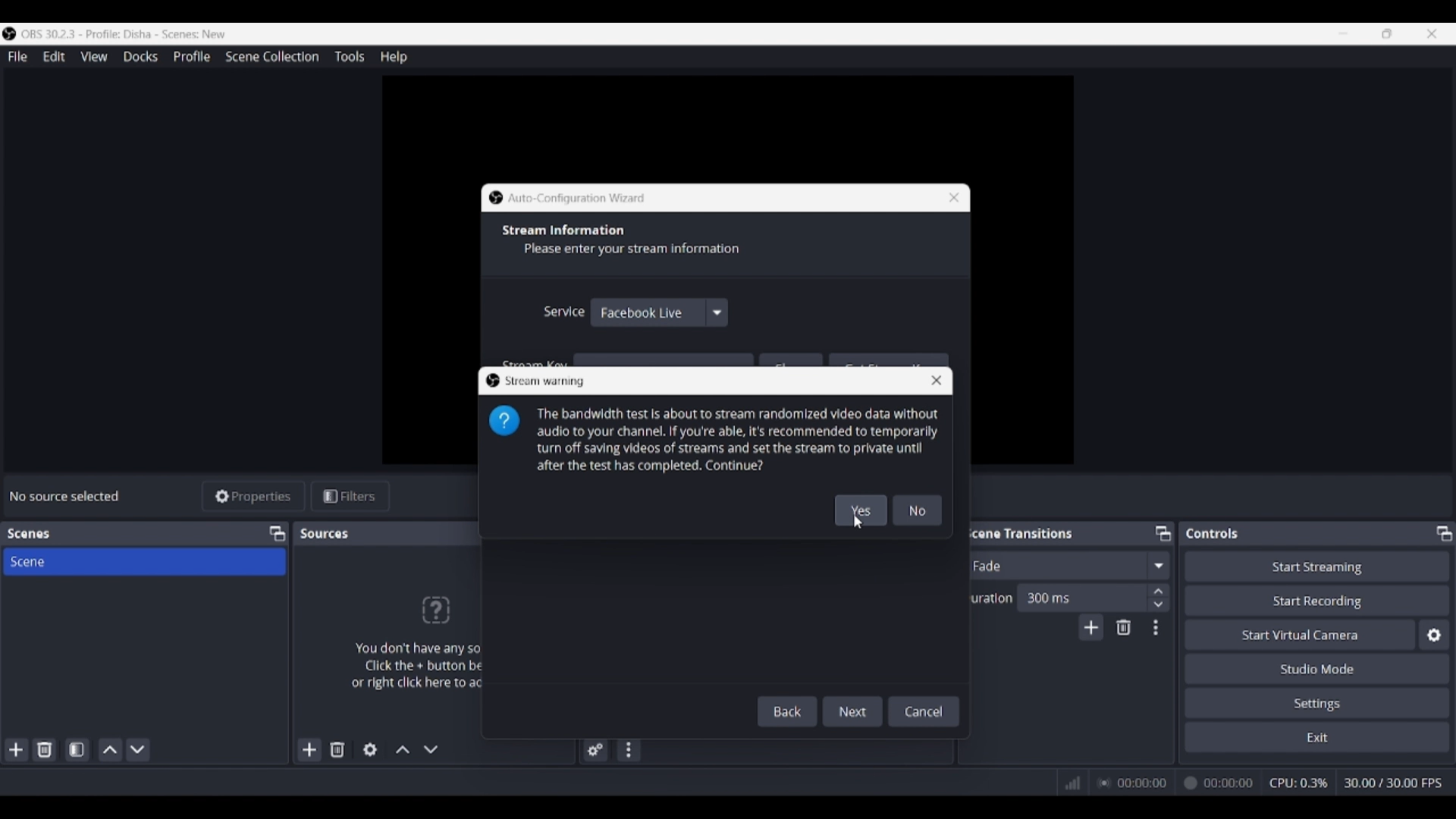  What do you see at coordinates (44, 749) in the screenshot?
I see `Delete selected scene` at bounding box center [44, 749].